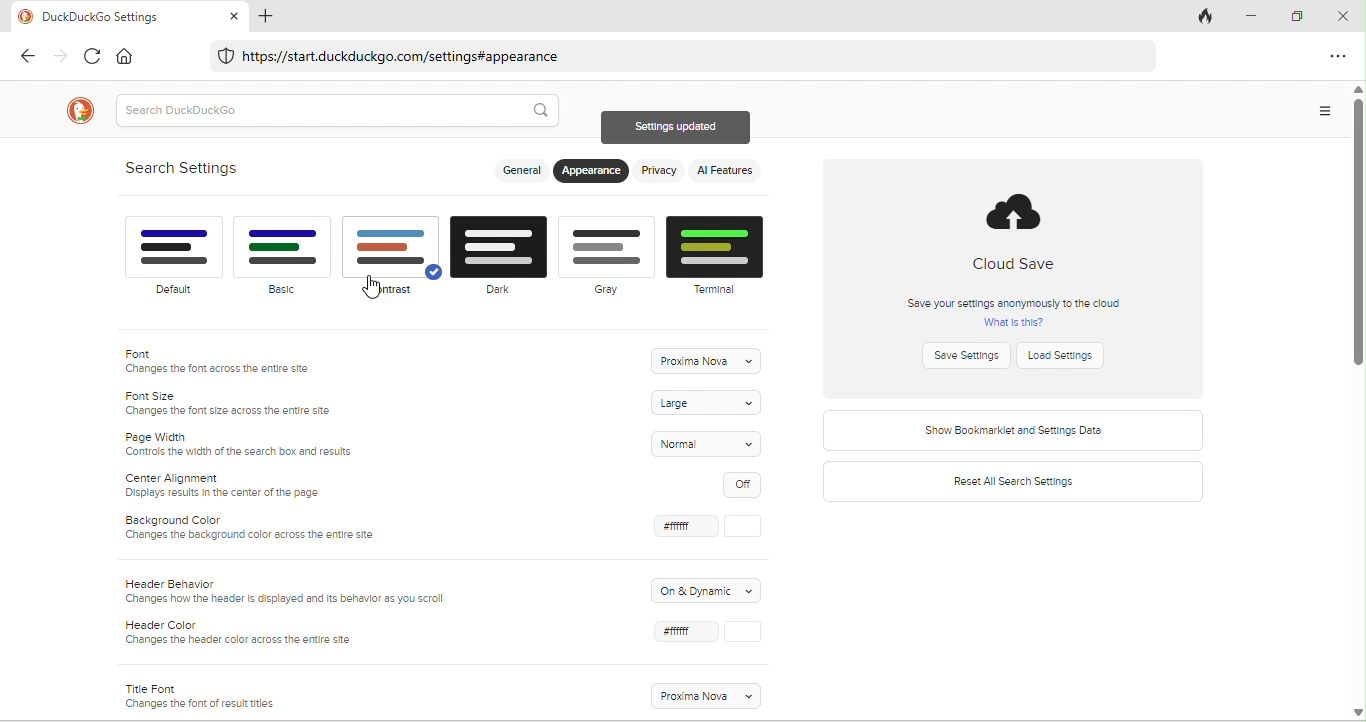 This screenshot has width=1366, height=722. What do you see at coordinates (679, 58) in the screenshot?
I see `web link` at bounding box center [679, 58].